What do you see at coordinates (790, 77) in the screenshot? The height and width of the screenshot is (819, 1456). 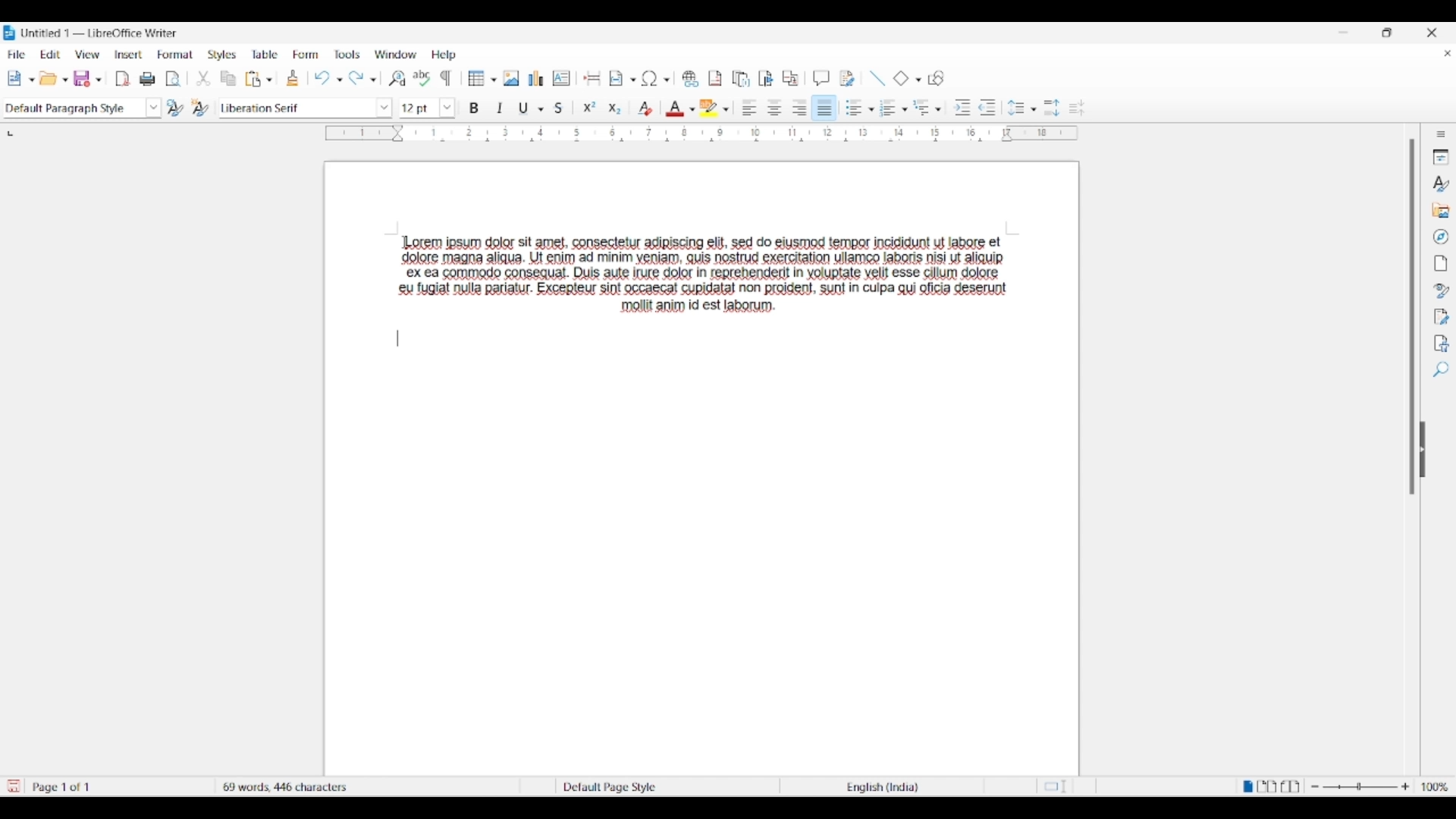 I see `Insert cross reference` at bounding box center [790, 77].